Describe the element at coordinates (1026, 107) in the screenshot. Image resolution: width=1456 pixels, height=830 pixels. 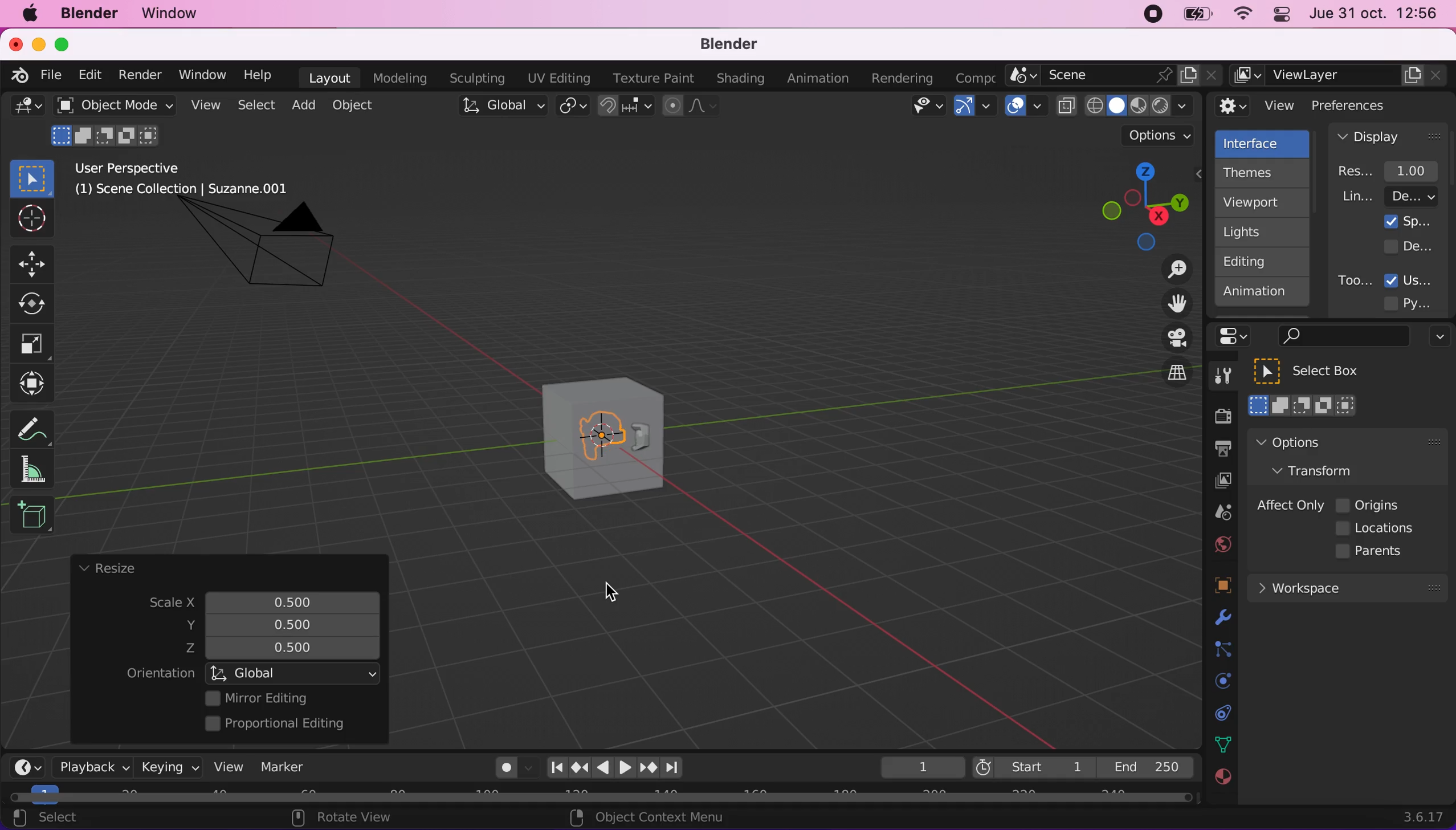
I see `overlays` at that location.